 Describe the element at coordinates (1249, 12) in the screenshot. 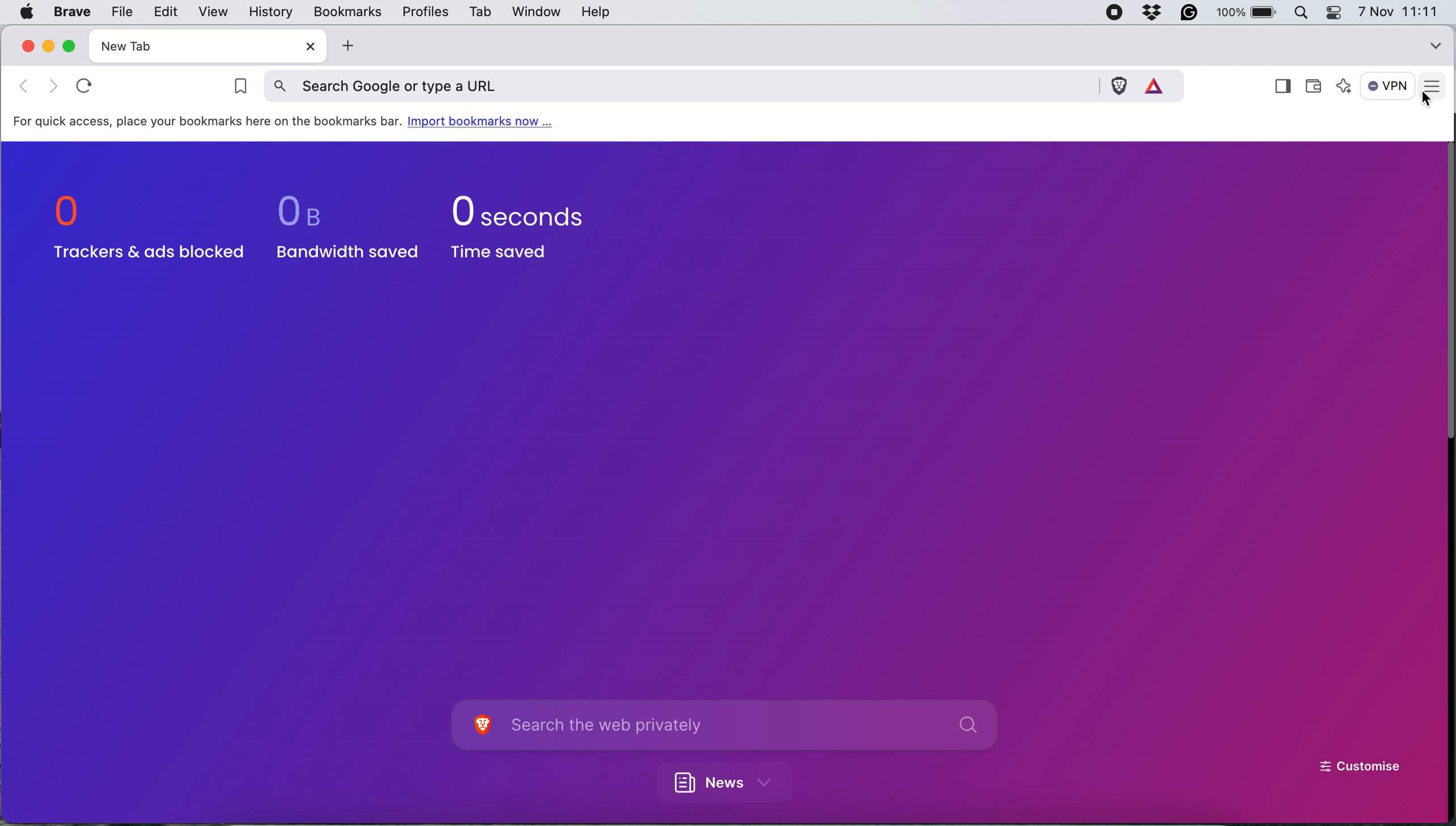

I see `battery` at that location.